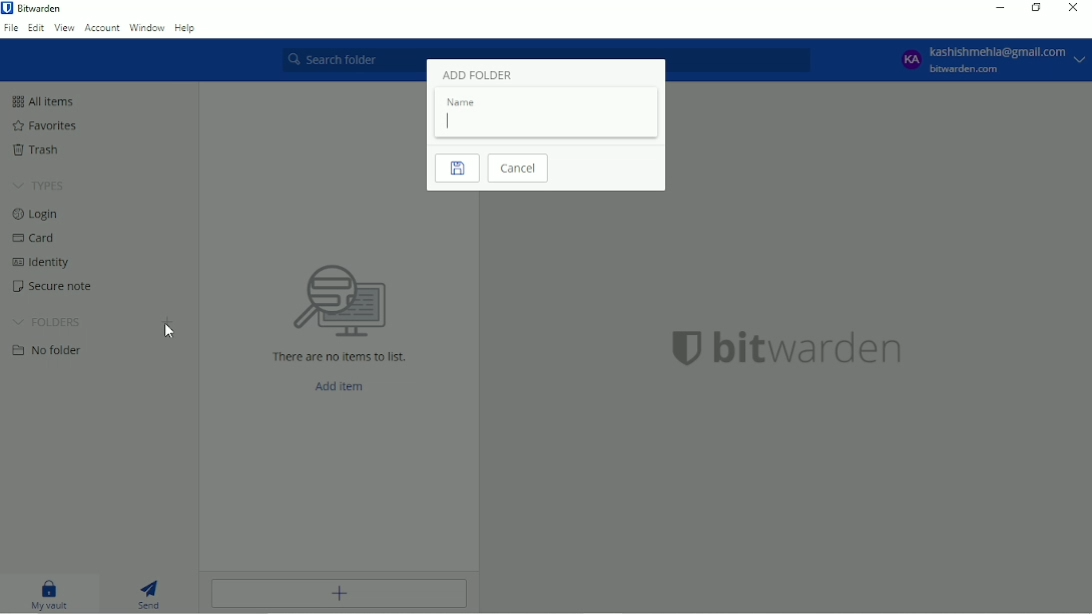 Image resolution: width=1092 pixels, height=614 pixels. Describe the element at coordinates (812, 352) in the screenshot. I see `bitwarden` at that location.